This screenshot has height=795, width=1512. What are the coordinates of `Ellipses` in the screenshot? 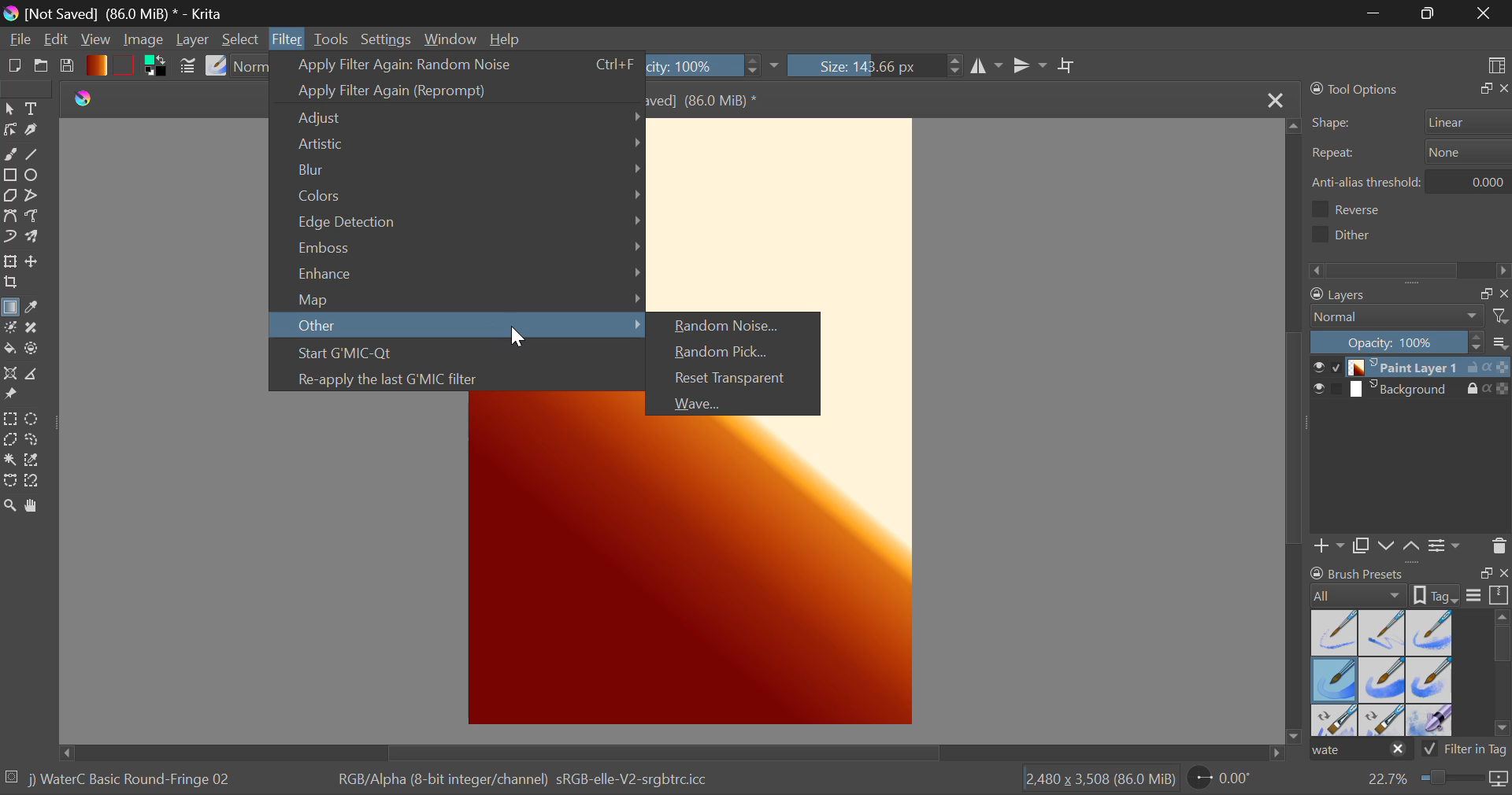 It's located at (37, 176).